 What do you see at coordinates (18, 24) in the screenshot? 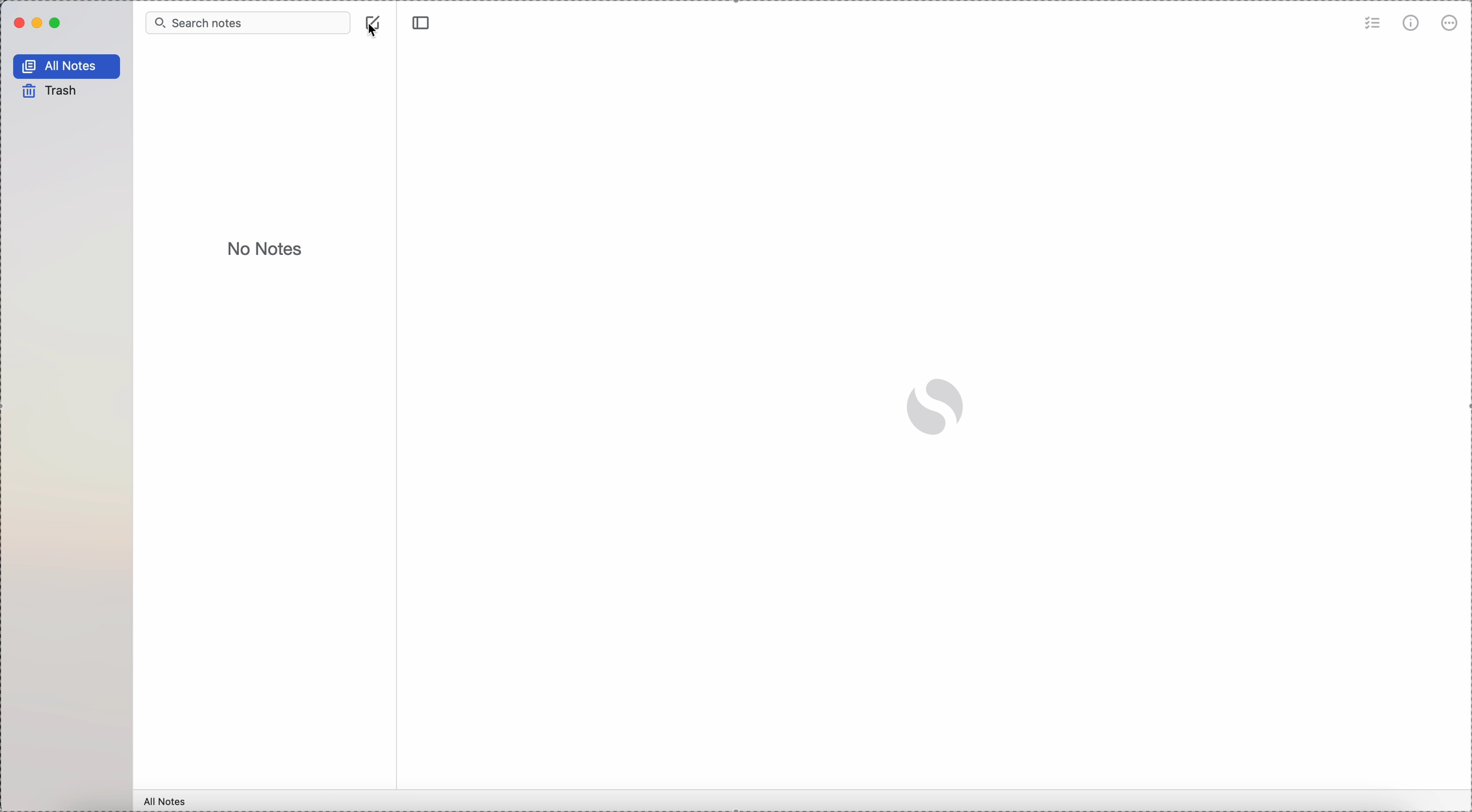
I see `close Simplenote` at bounding box center [18, 24].